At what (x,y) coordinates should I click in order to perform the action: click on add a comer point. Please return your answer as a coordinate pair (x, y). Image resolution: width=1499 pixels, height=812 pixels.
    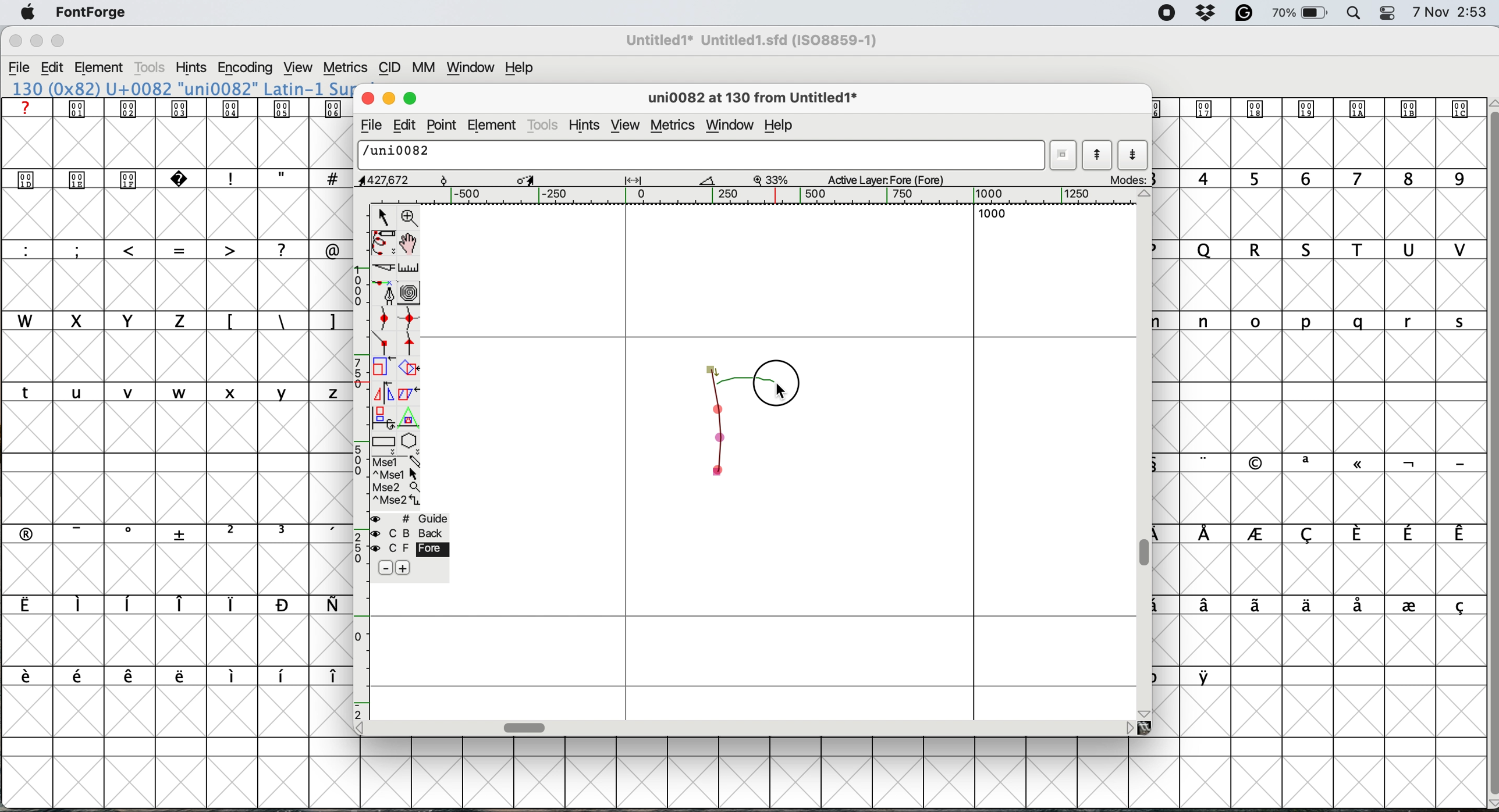
    Looking at the image, I should click on (385, 345).